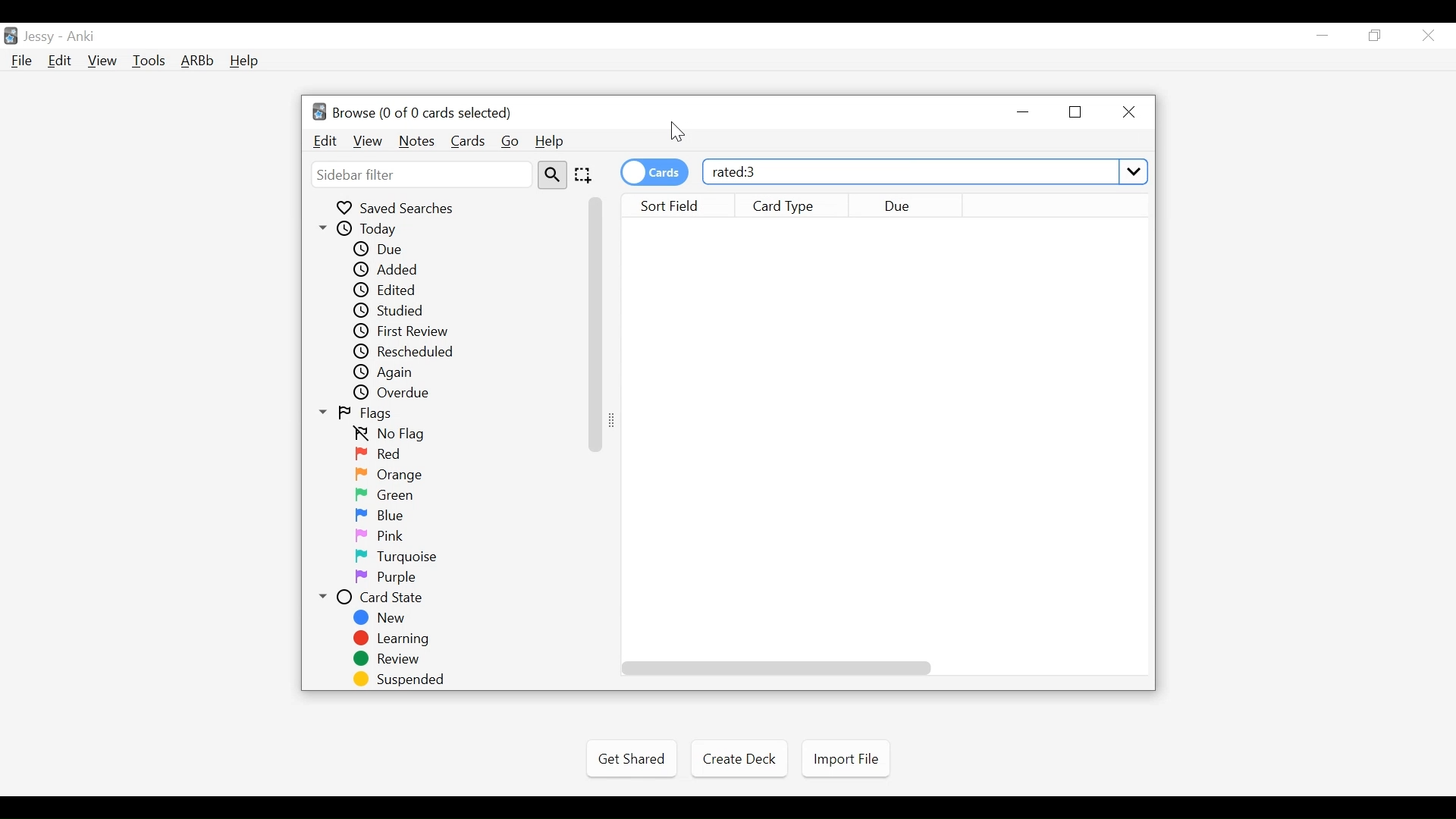 The height and width of the screenshot is (819, 1456). Describe the element at coordinates (327, 142) in the screenshot. I see `Edit` at that location.